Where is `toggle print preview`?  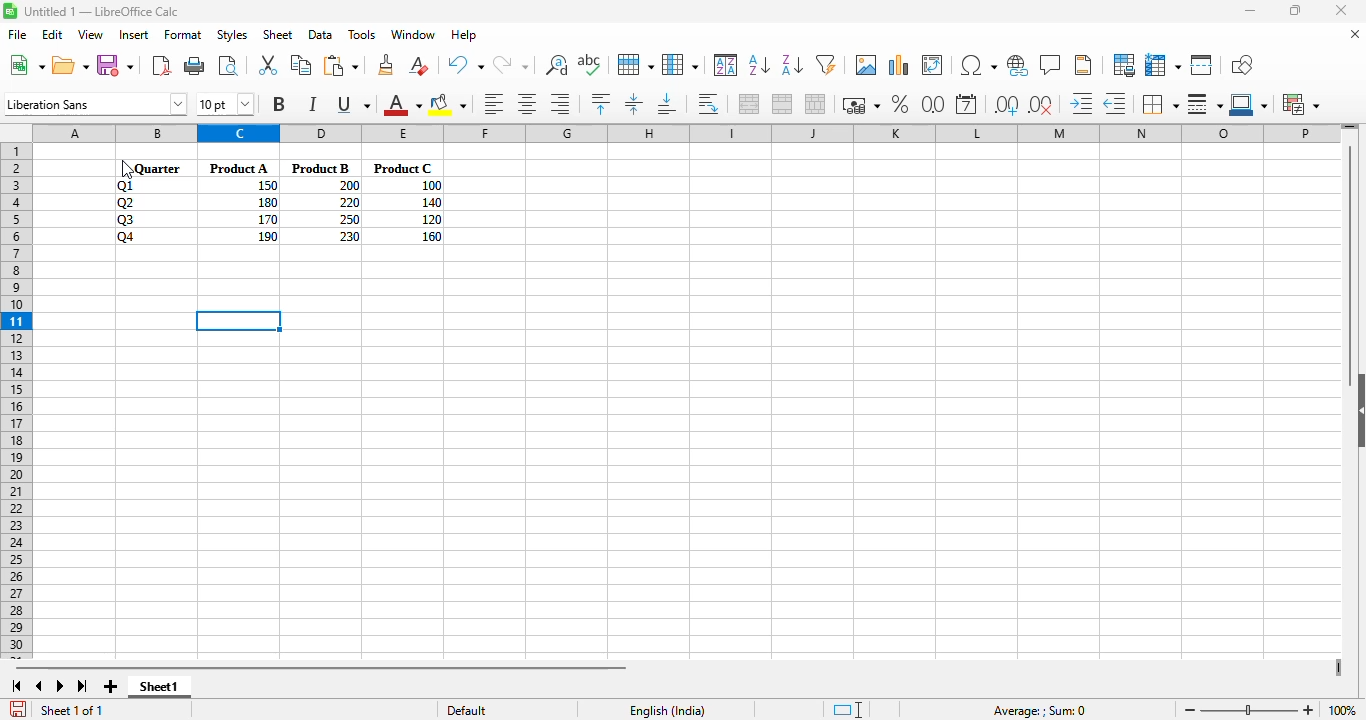
toggle print preview is located at coordinates (228, 66).